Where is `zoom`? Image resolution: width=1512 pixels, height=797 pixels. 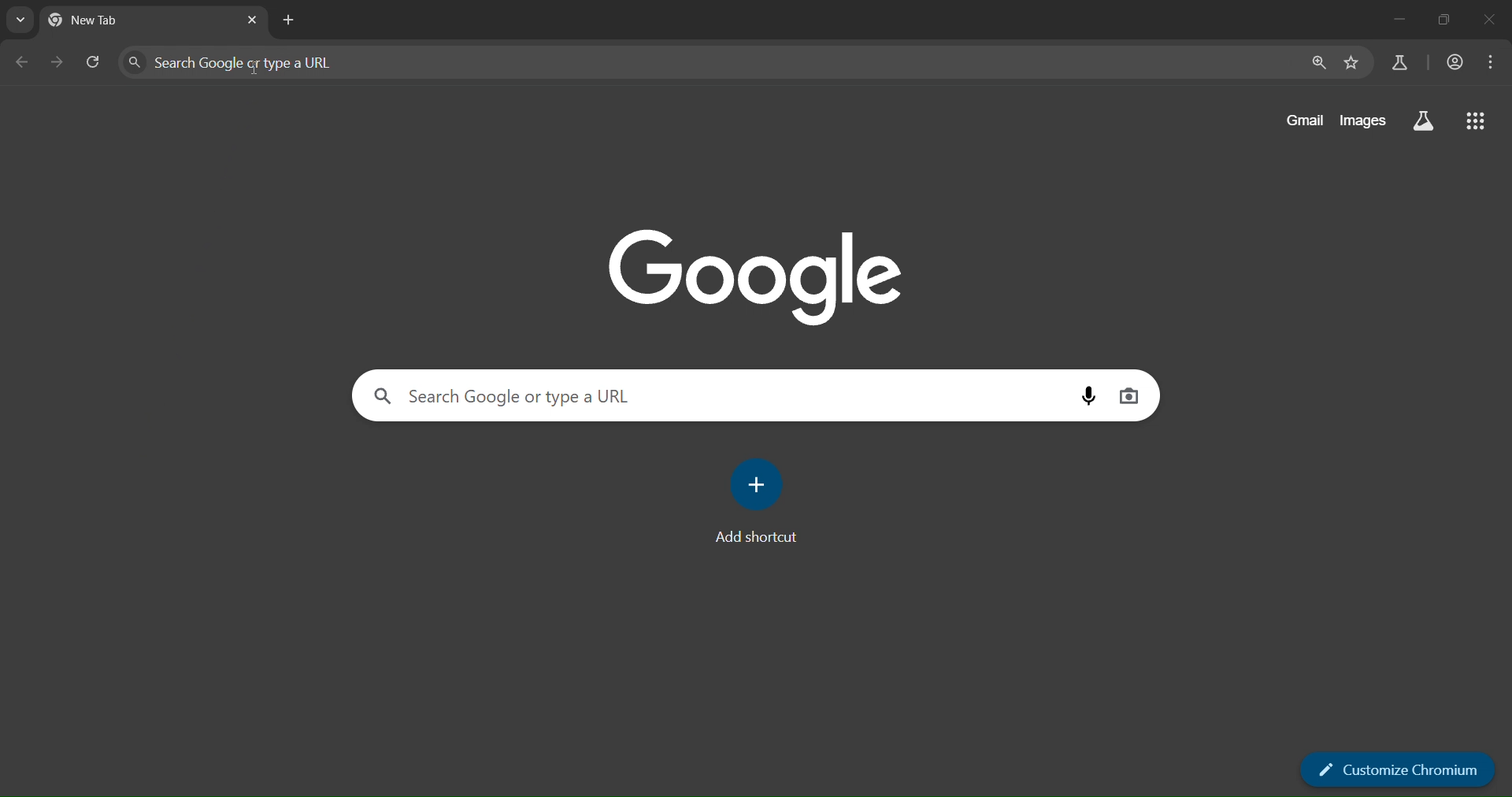 zoom is located at coordinates (1318, 63).